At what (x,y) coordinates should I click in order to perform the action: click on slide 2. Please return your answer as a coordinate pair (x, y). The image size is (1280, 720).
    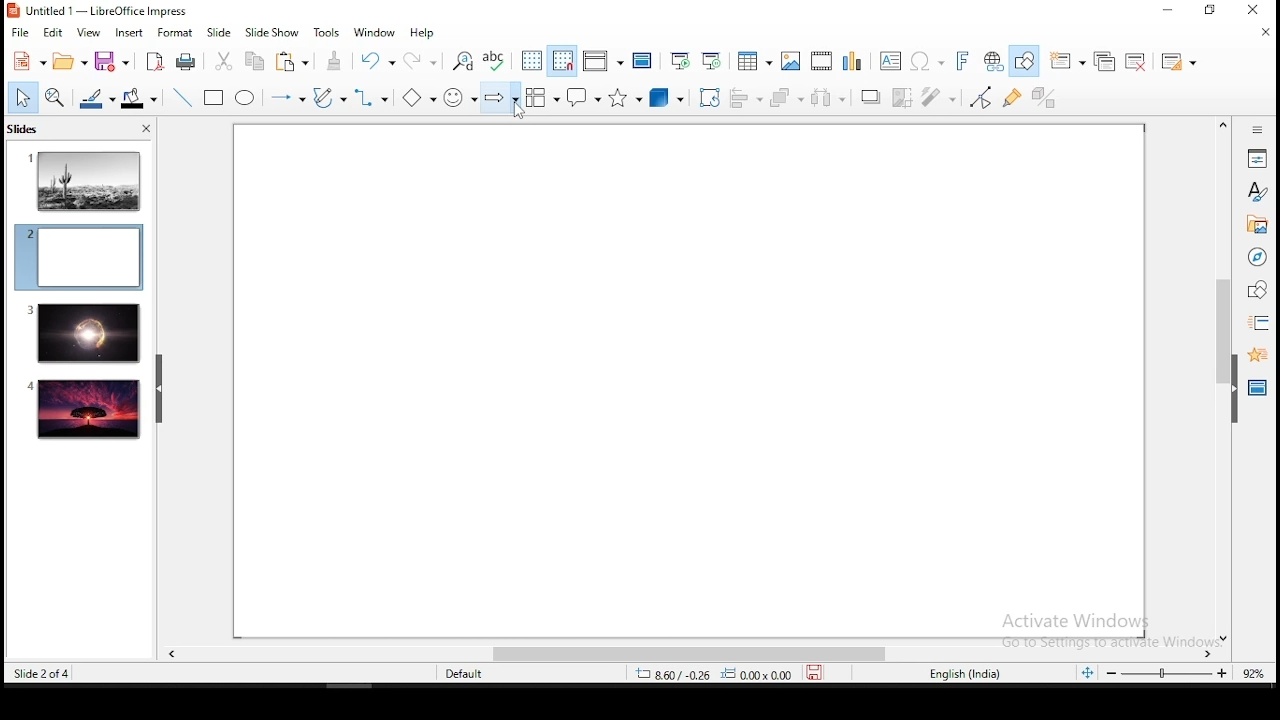
    Looking at the image, I should click on (78, 257).